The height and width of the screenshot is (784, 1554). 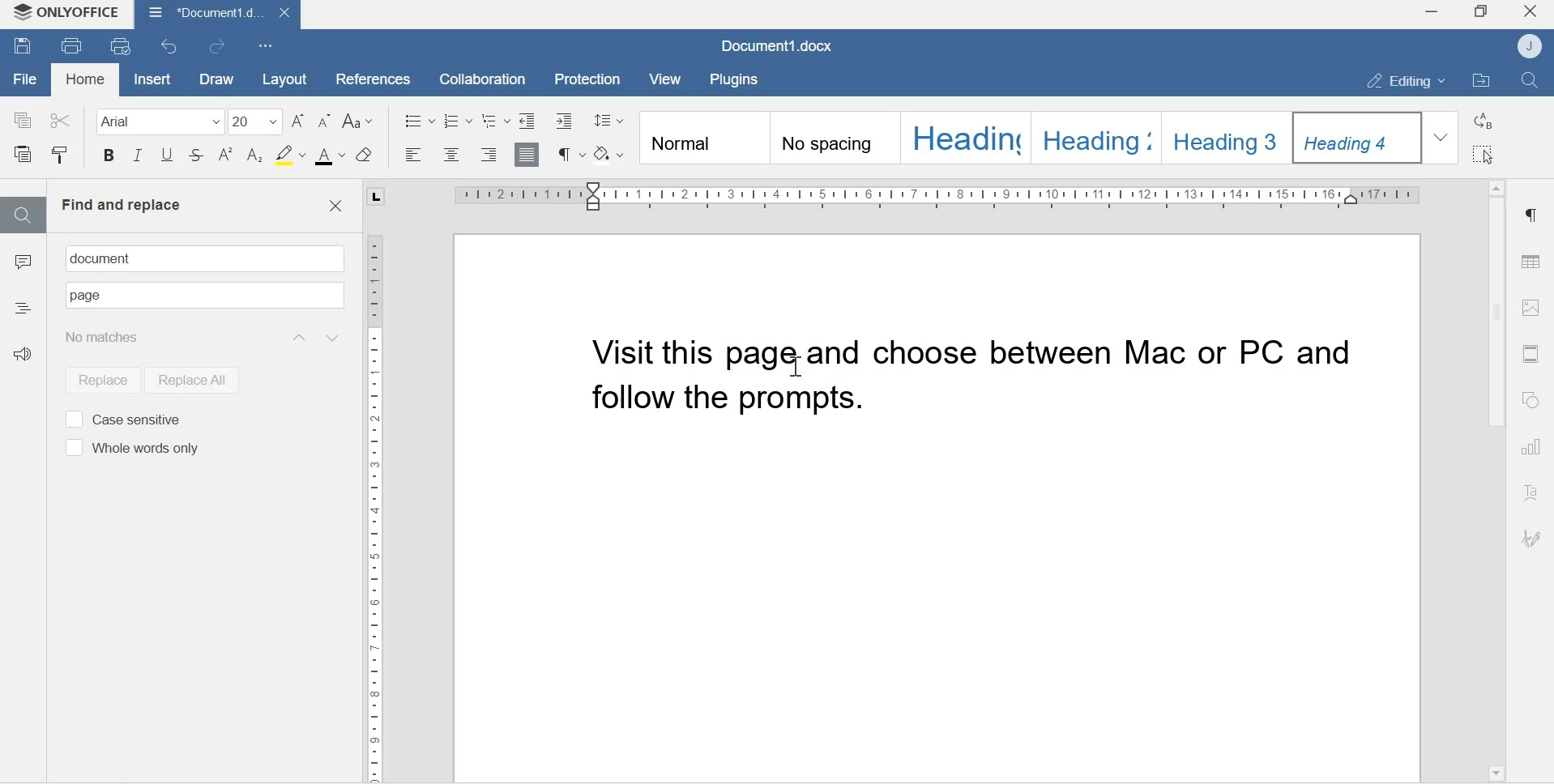 I want to click on document, so click(x=107, y=258).